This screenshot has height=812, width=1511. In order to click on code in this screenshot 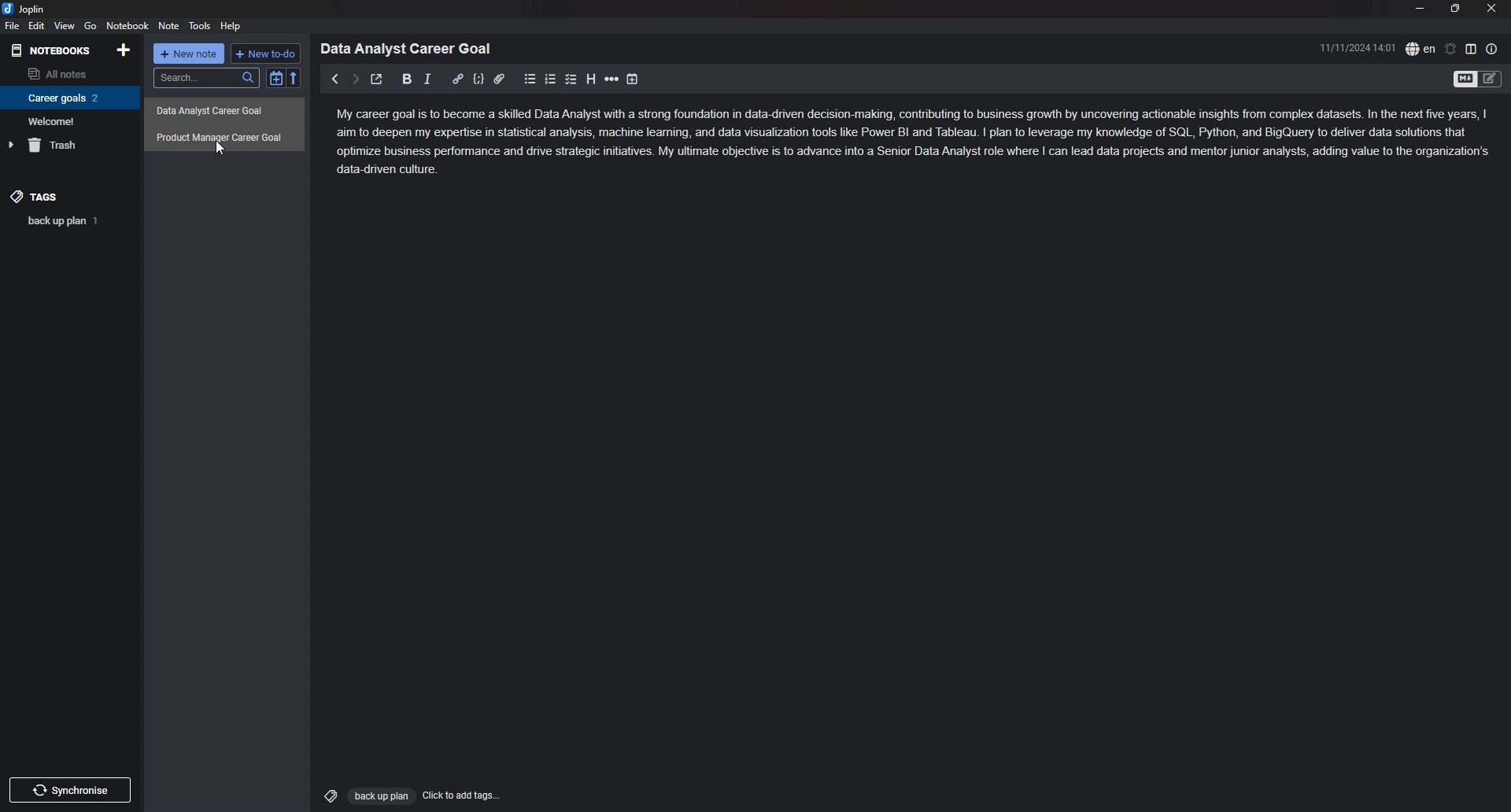, I will do `click(478, 79)`.